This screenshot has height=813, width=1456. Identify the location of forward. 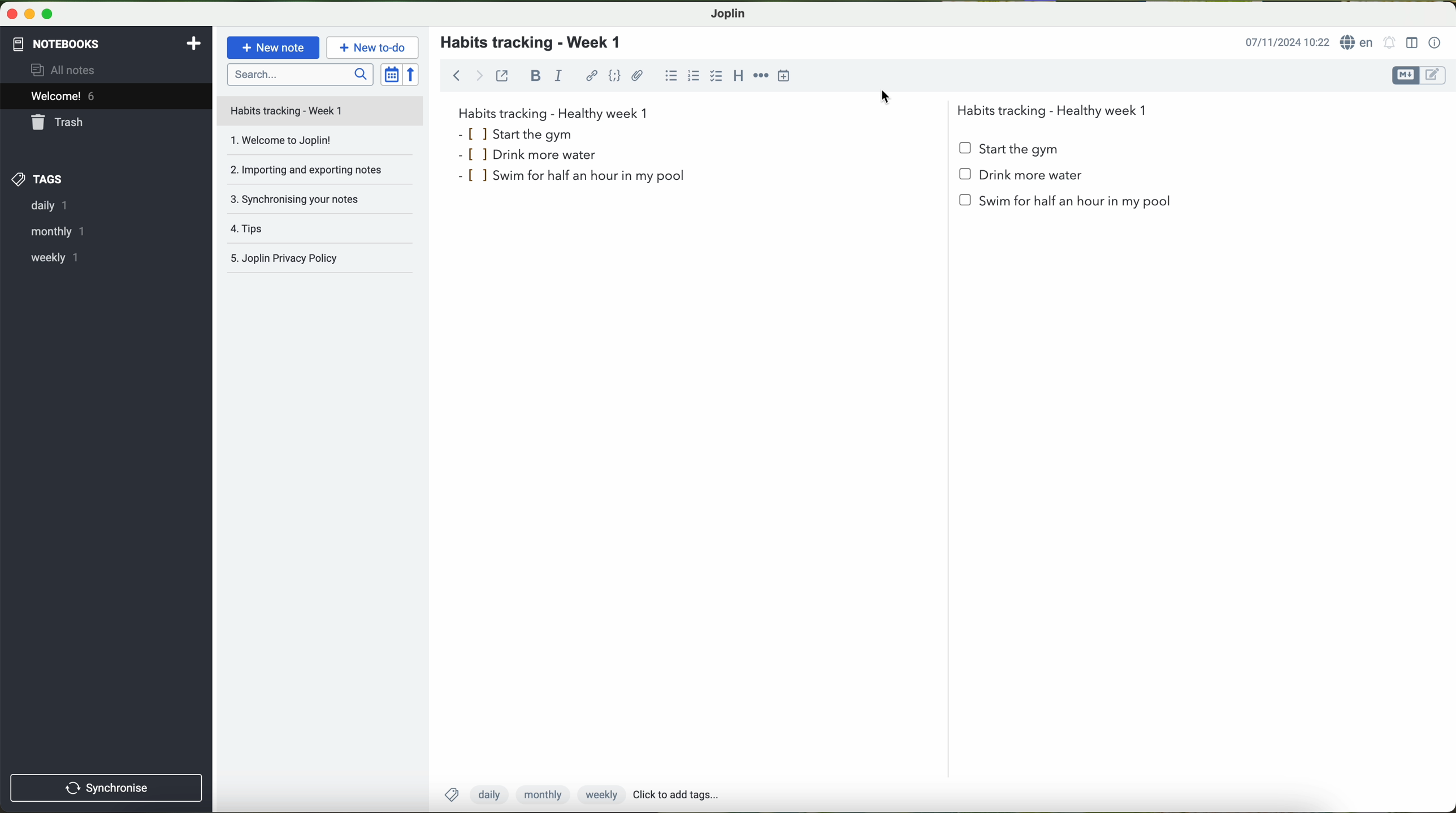
(479, 75).